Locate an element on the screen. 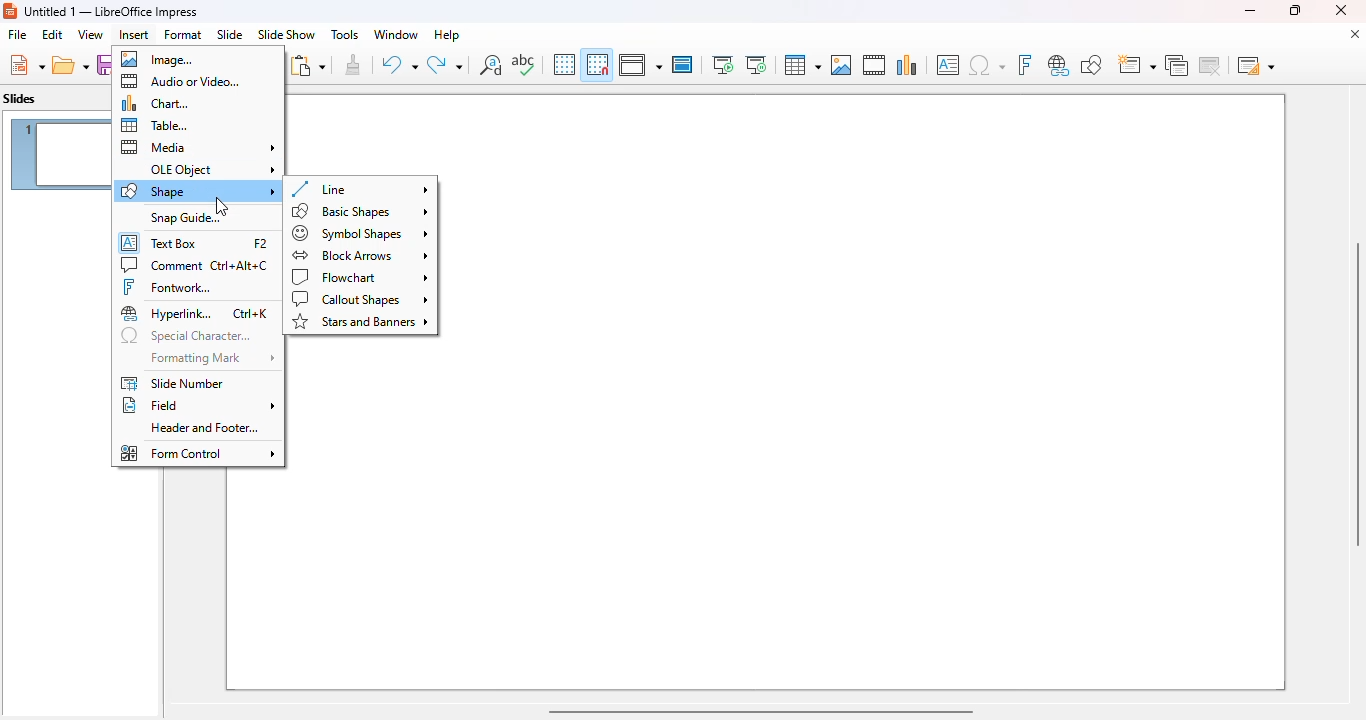  duplicate slide is located at coordinates (1177, 65).